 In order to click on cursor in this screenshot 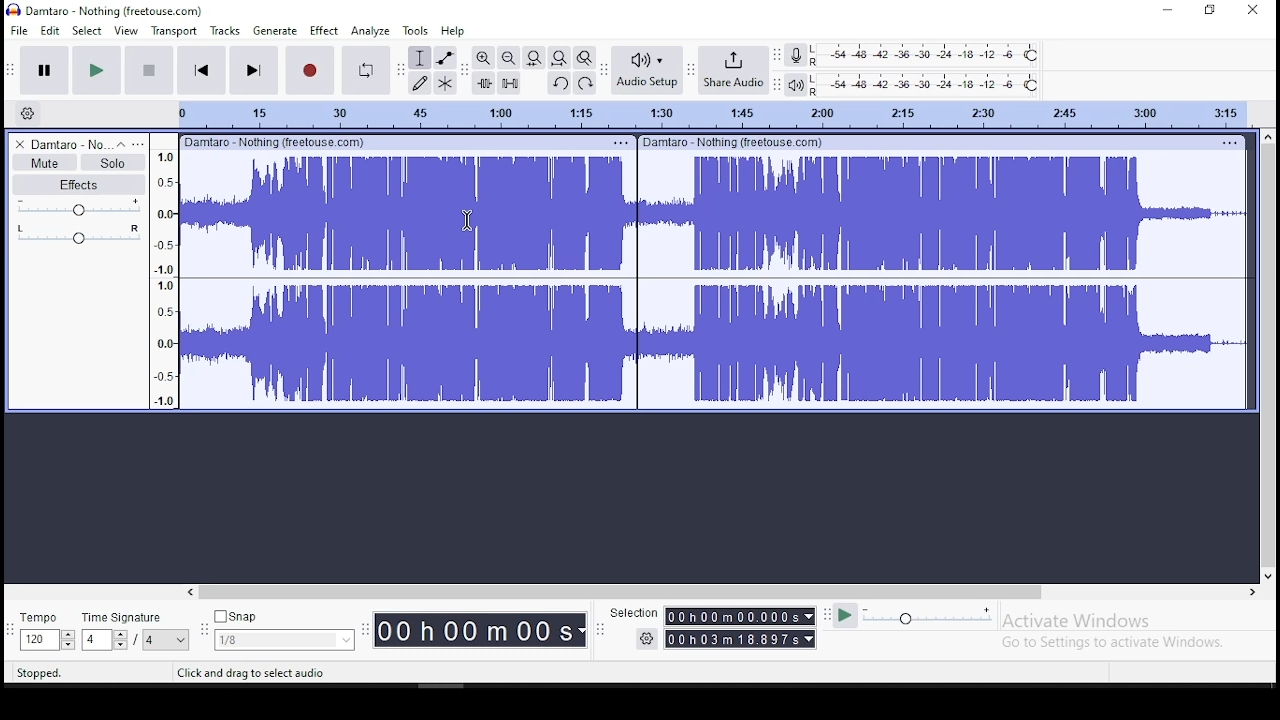, I will do `click(467, 220)`.